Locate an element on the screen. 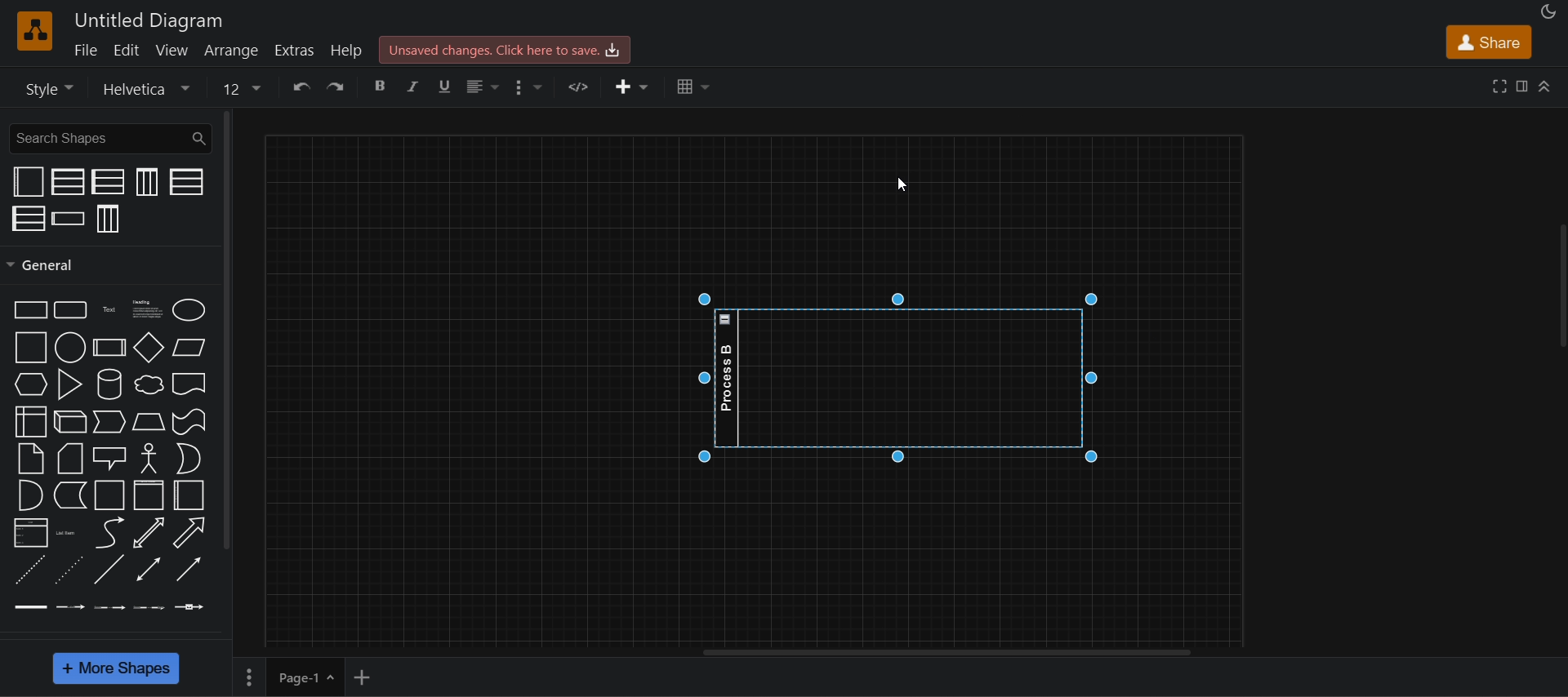 Image resolution: width=1568 pixels, height=697 pixels. curve is located at coordinates (106, 532).